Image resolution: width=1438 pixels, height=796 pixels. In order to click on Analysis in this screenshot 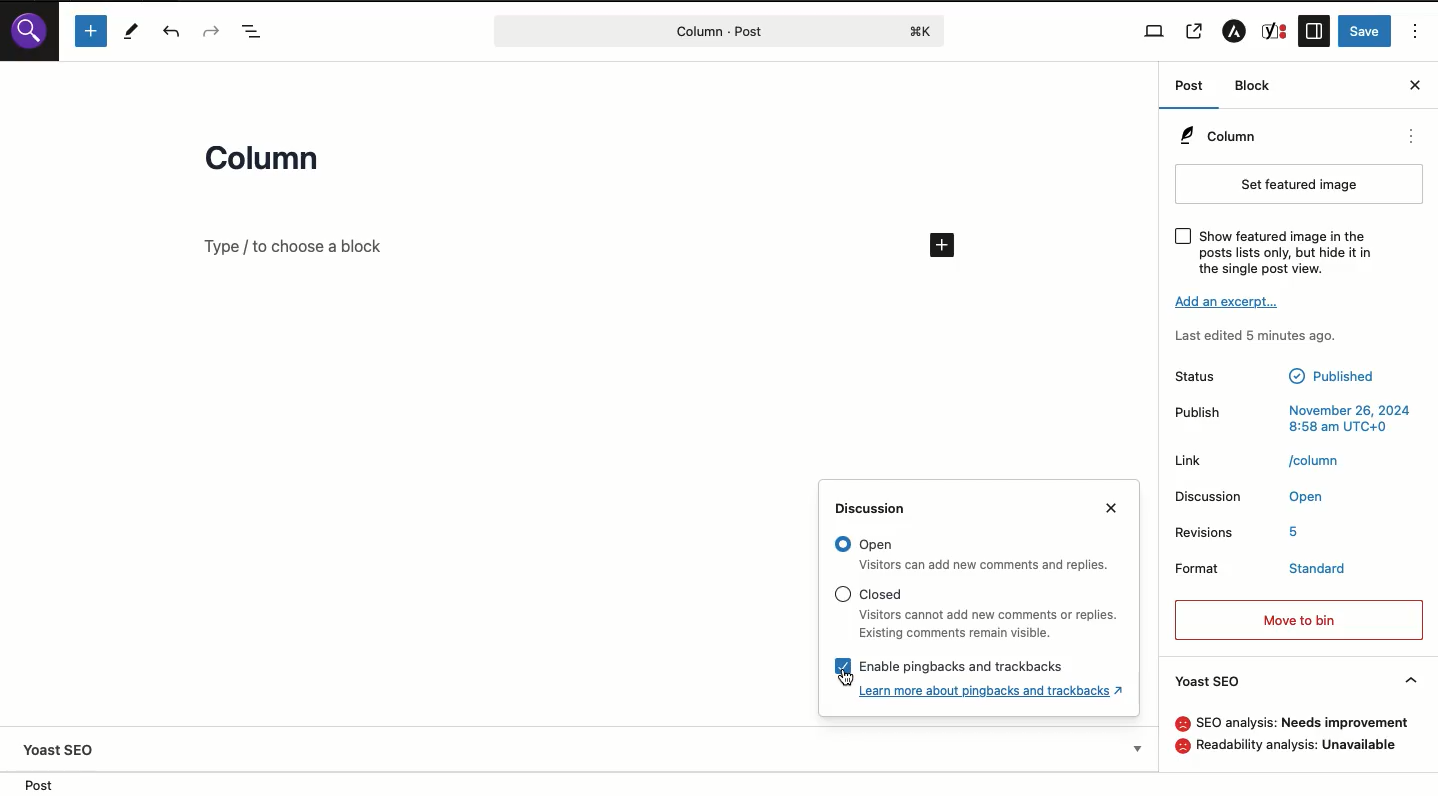, I will do `click(1298, 746)`.